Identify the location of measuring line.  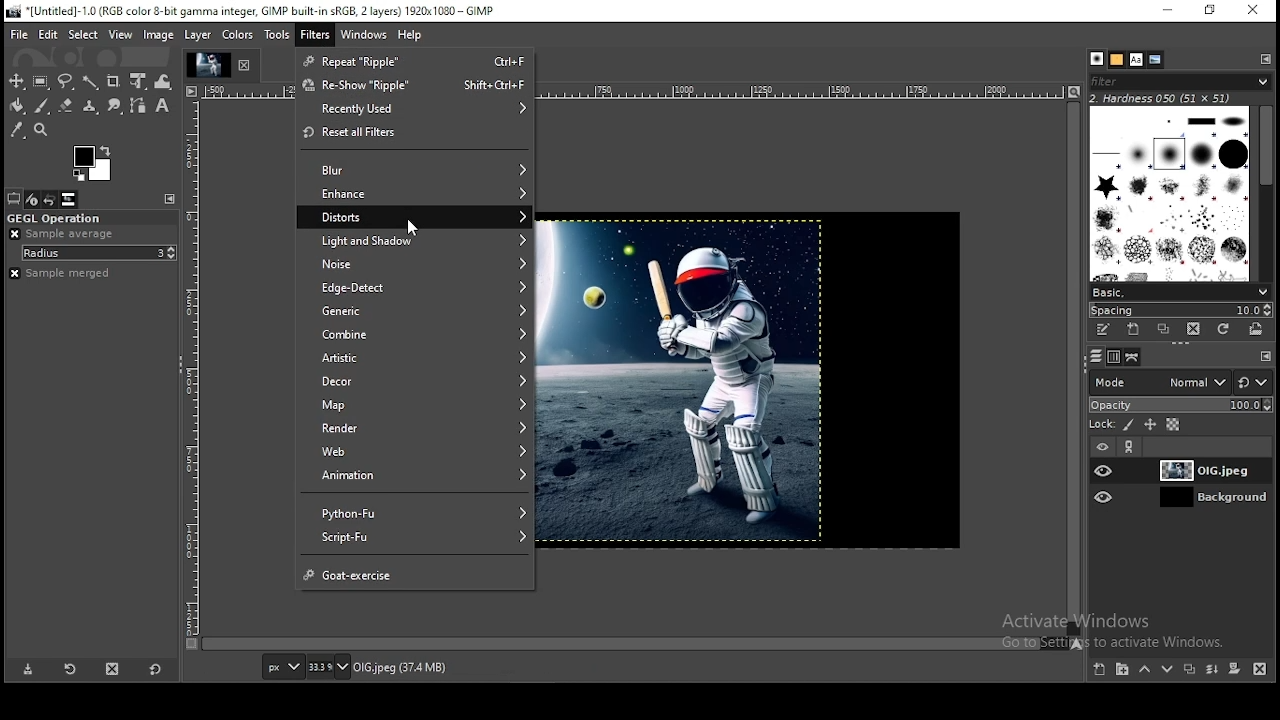
(197, 378).